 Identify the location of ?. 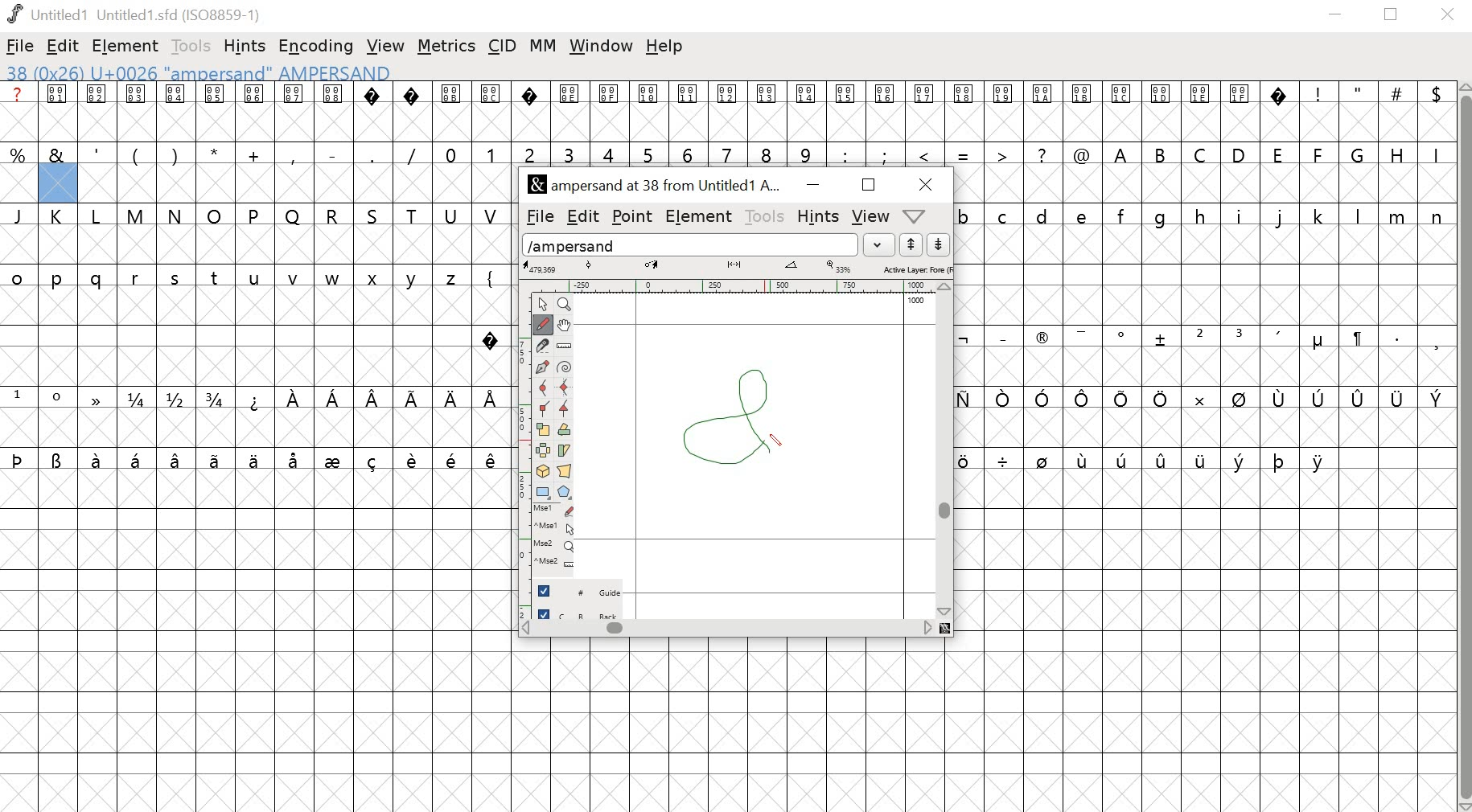
(1281, 112).